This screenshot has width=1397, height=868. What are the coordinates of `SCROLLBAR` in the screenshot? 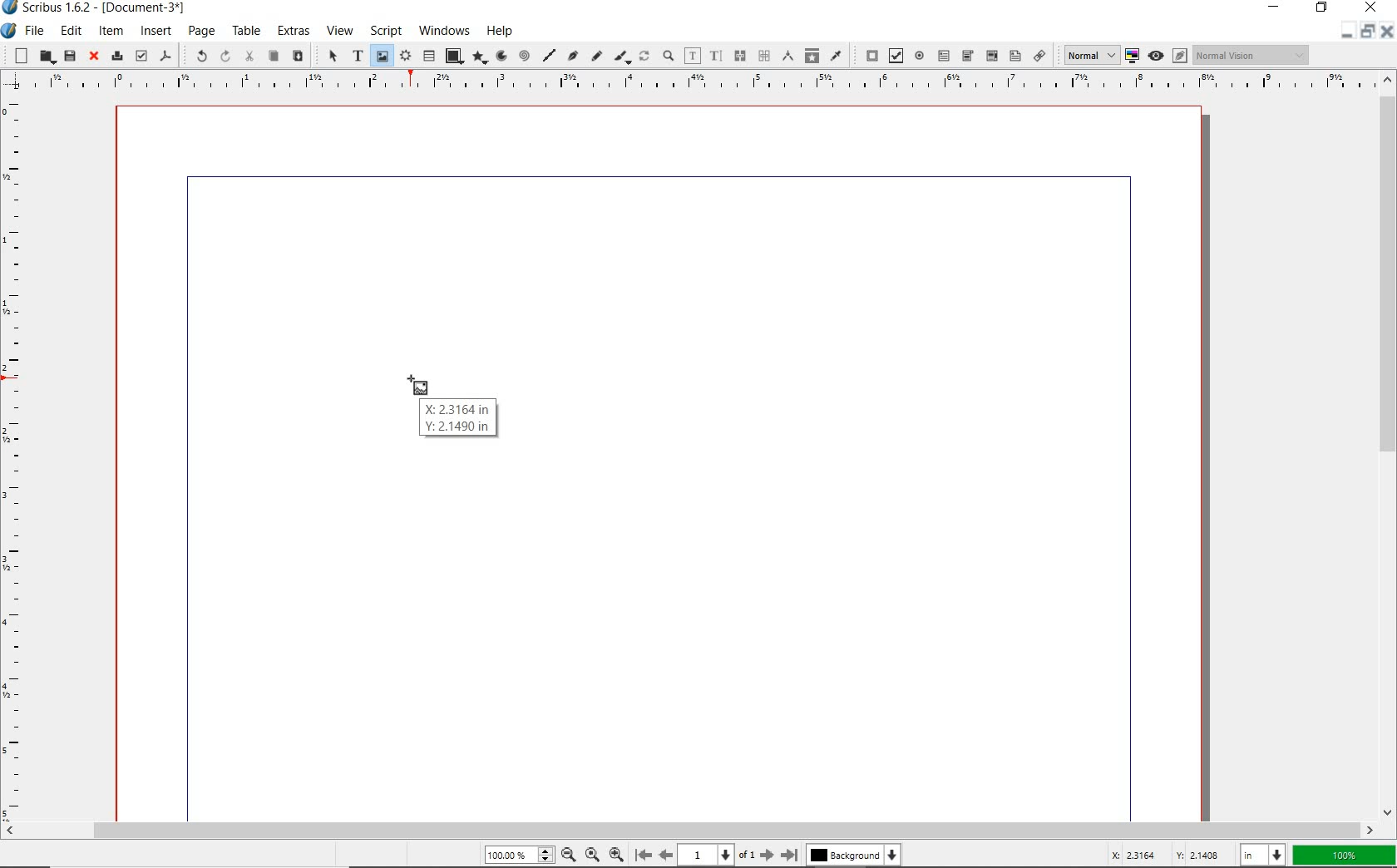 It's located at (689, 830).